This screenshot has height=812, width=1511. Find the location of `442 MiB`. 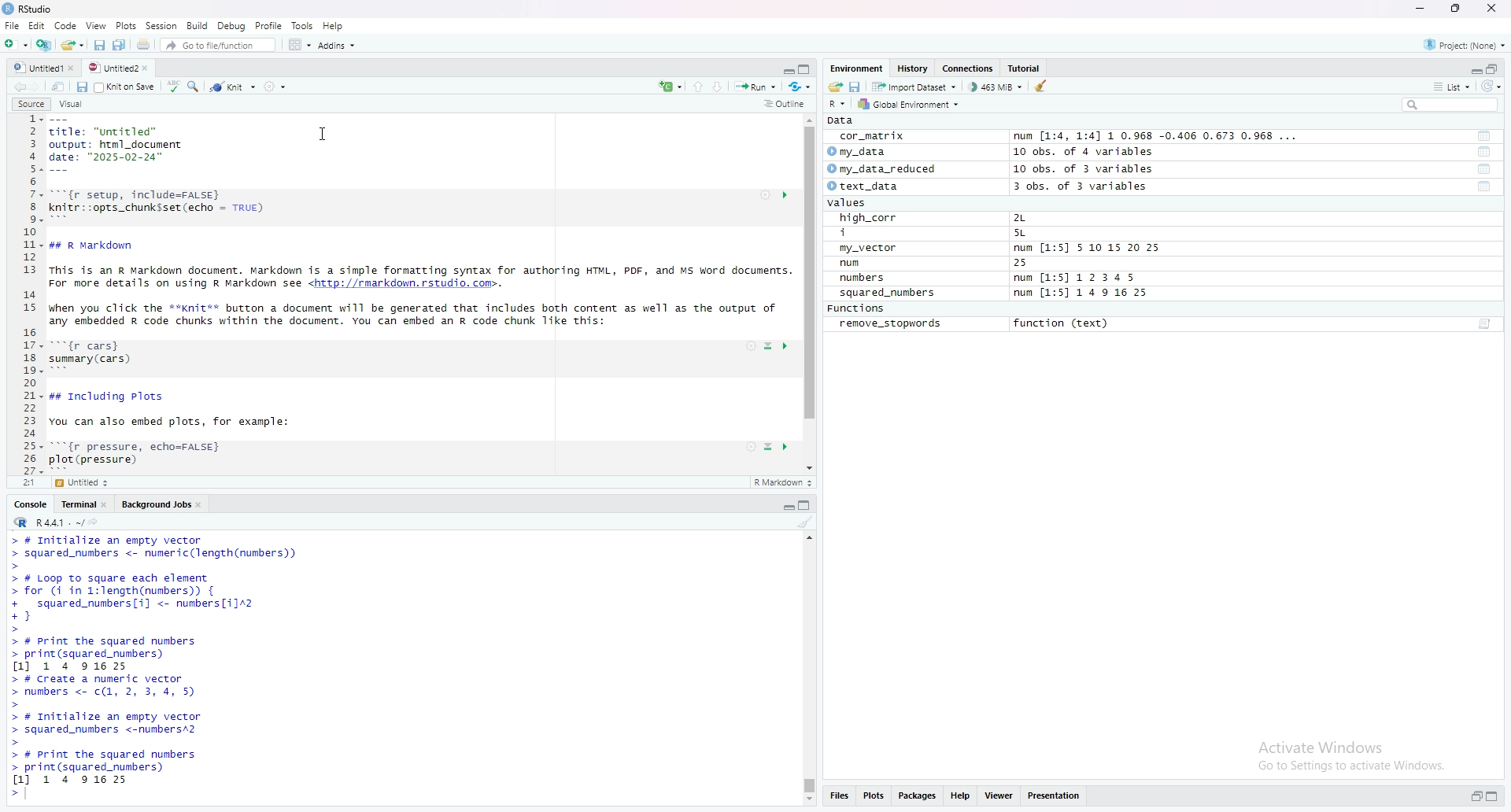

442 MiB is located at coordinates (999, 87).